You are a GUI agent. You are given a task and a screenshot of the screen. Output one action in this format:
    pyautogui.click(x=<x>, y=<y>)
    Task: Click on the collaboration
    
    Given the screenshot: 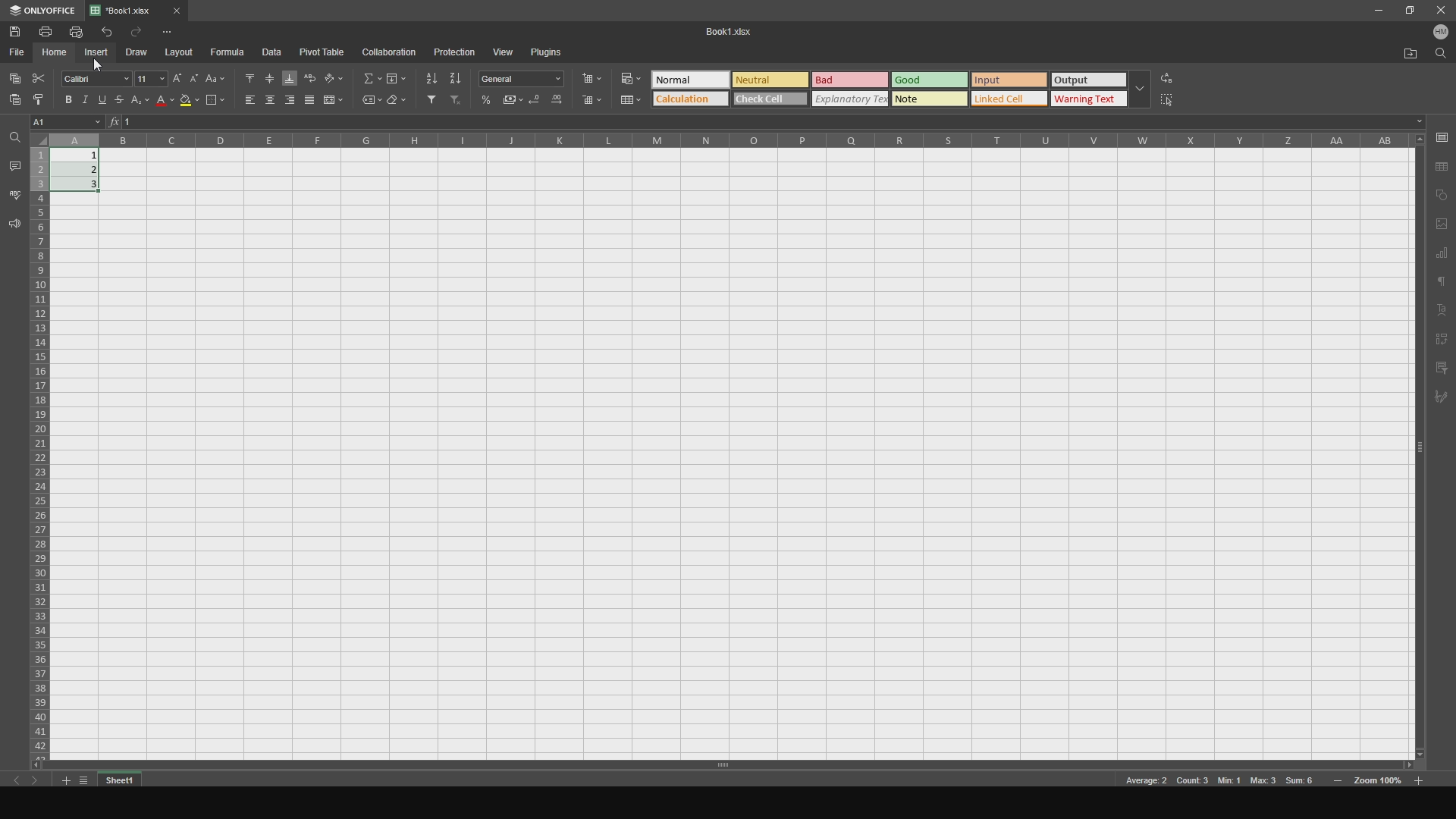 What is the action you would take?
    pyautogui.click(x=391, y=52)
    